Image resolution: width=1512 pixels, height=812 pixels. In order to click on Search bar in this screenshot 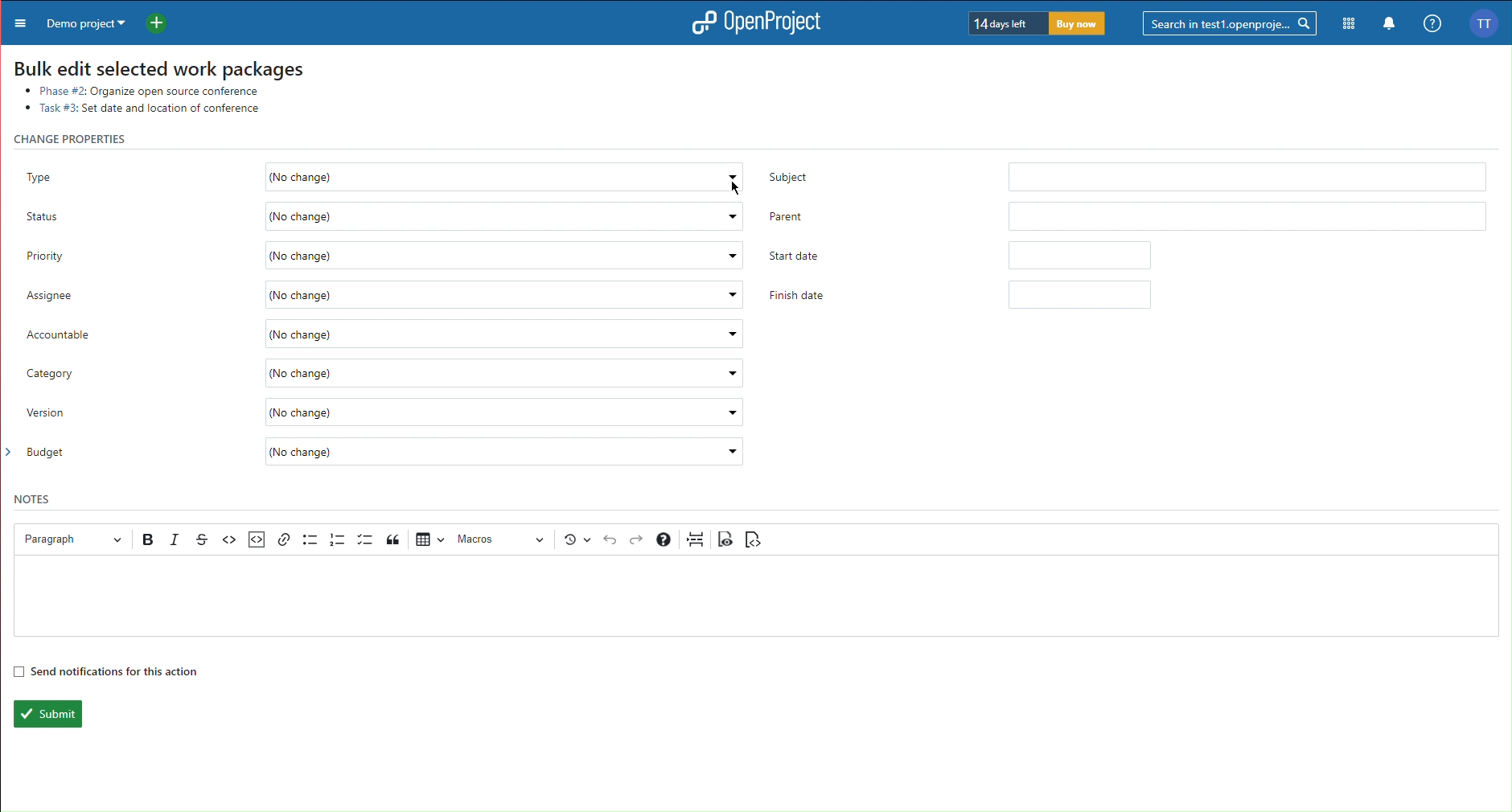, I will do `click(1231, 23)`.